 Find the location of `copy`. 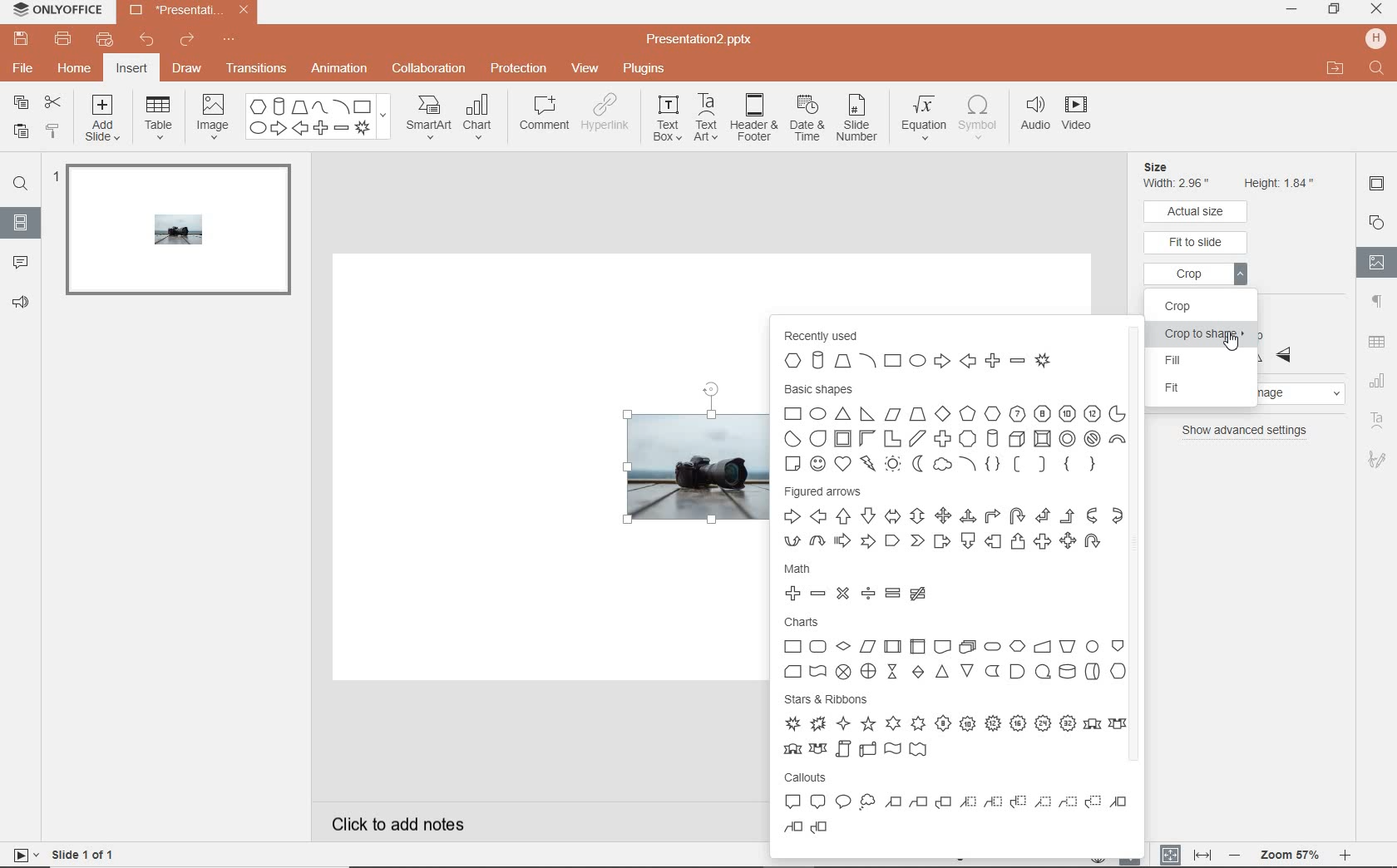

copy is located at coordinates (21, 101).